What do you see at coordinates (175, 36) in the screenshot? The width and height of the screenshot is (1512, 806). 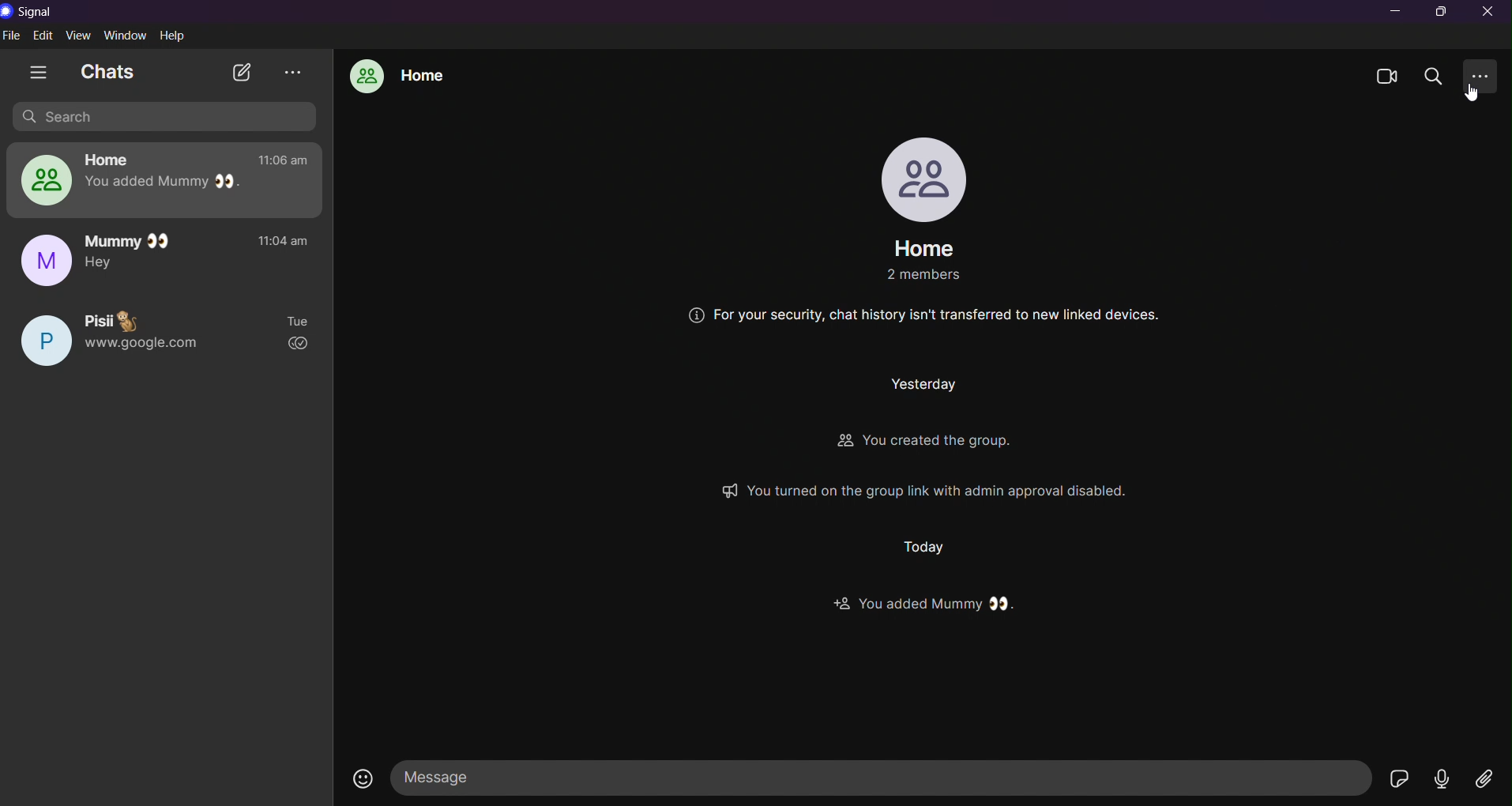 I see `help` at bounding box center [175, 36].